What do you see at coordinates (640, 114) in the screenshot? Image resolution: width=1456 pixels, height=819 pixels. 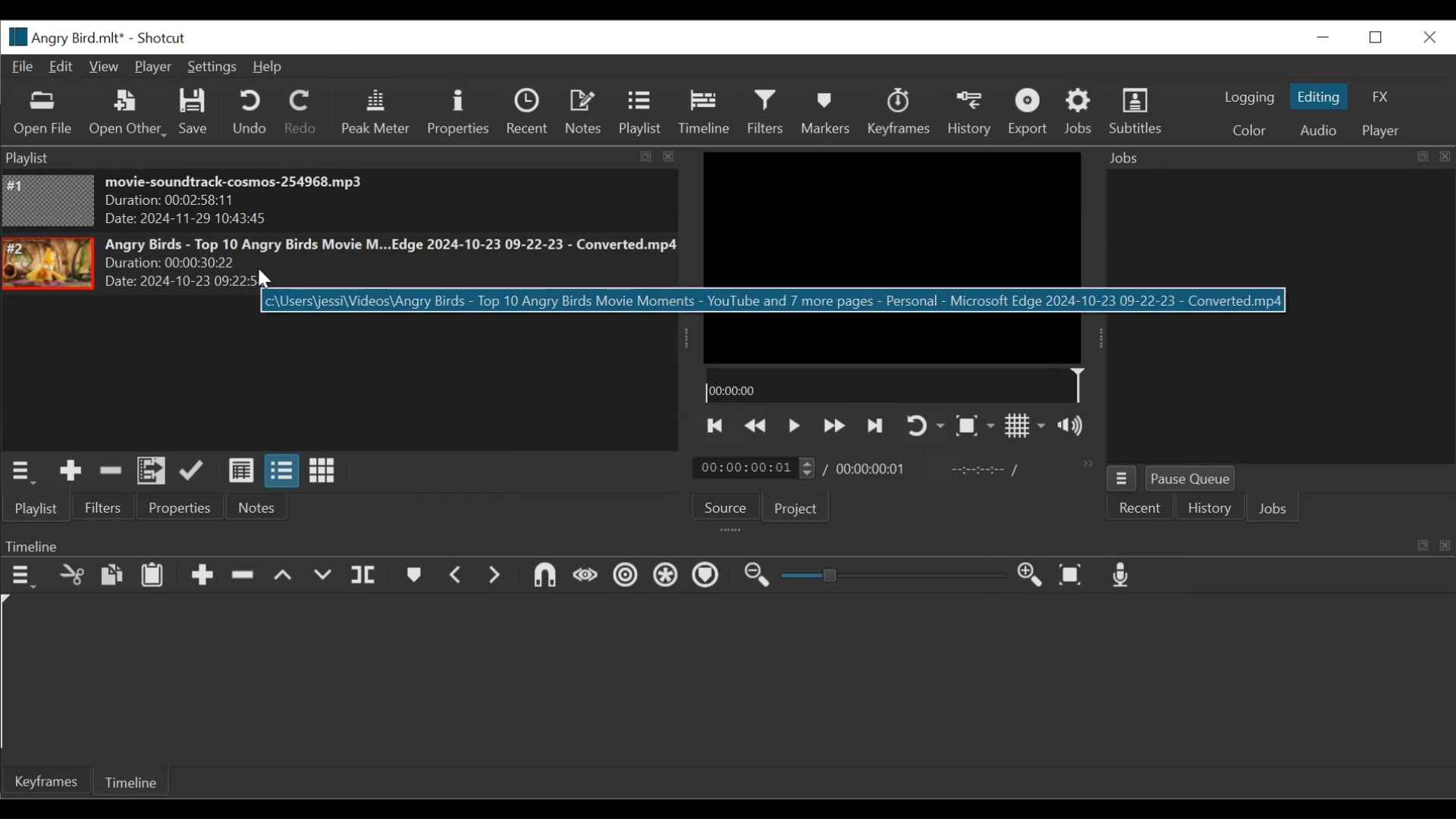 I see `Playlist` at bounding box center [640, 114].